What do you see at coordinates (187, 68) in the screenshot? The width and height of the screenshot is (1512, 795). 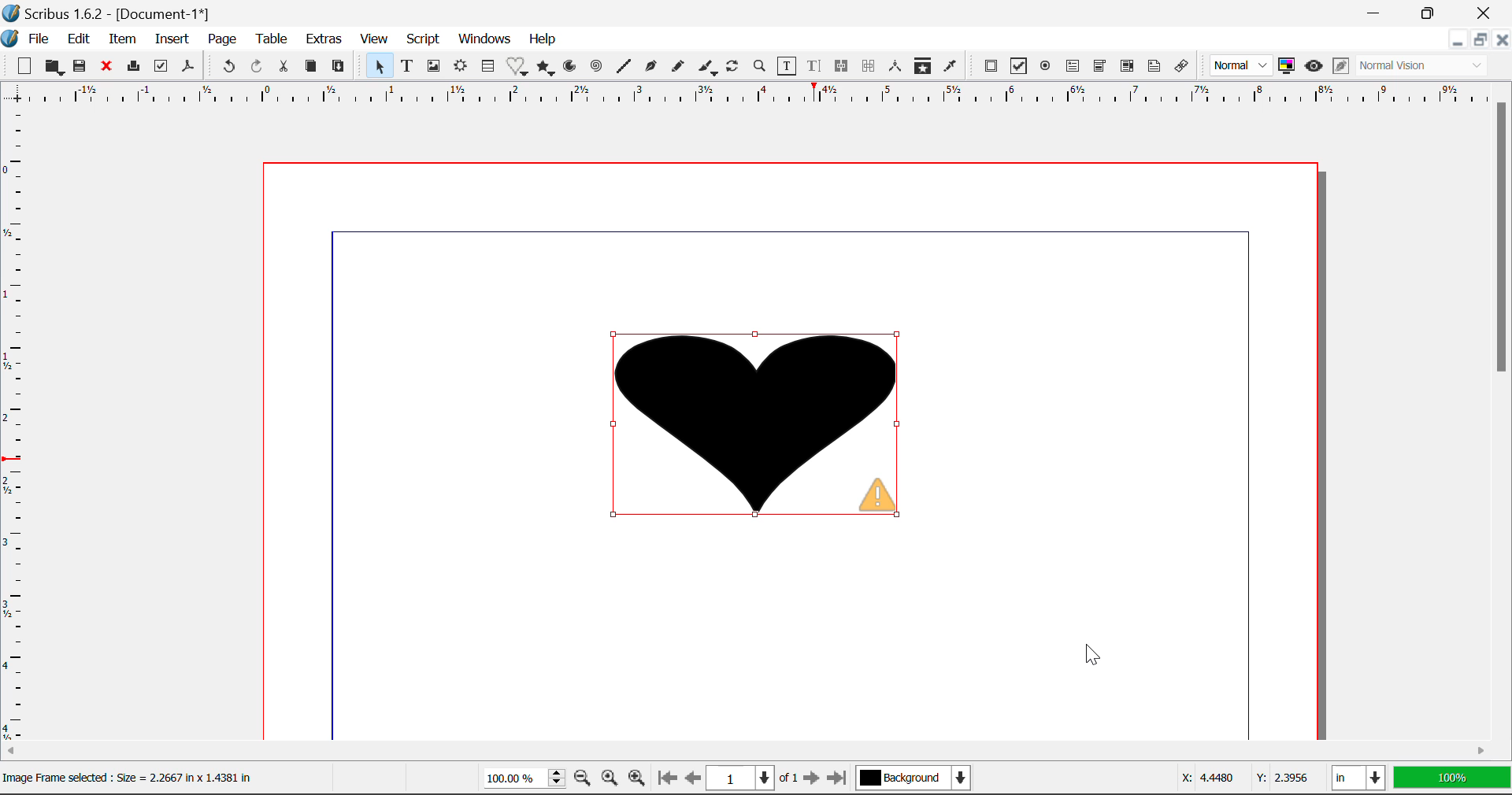 I see `Save as Pdf` at bounding box center [187, 68].